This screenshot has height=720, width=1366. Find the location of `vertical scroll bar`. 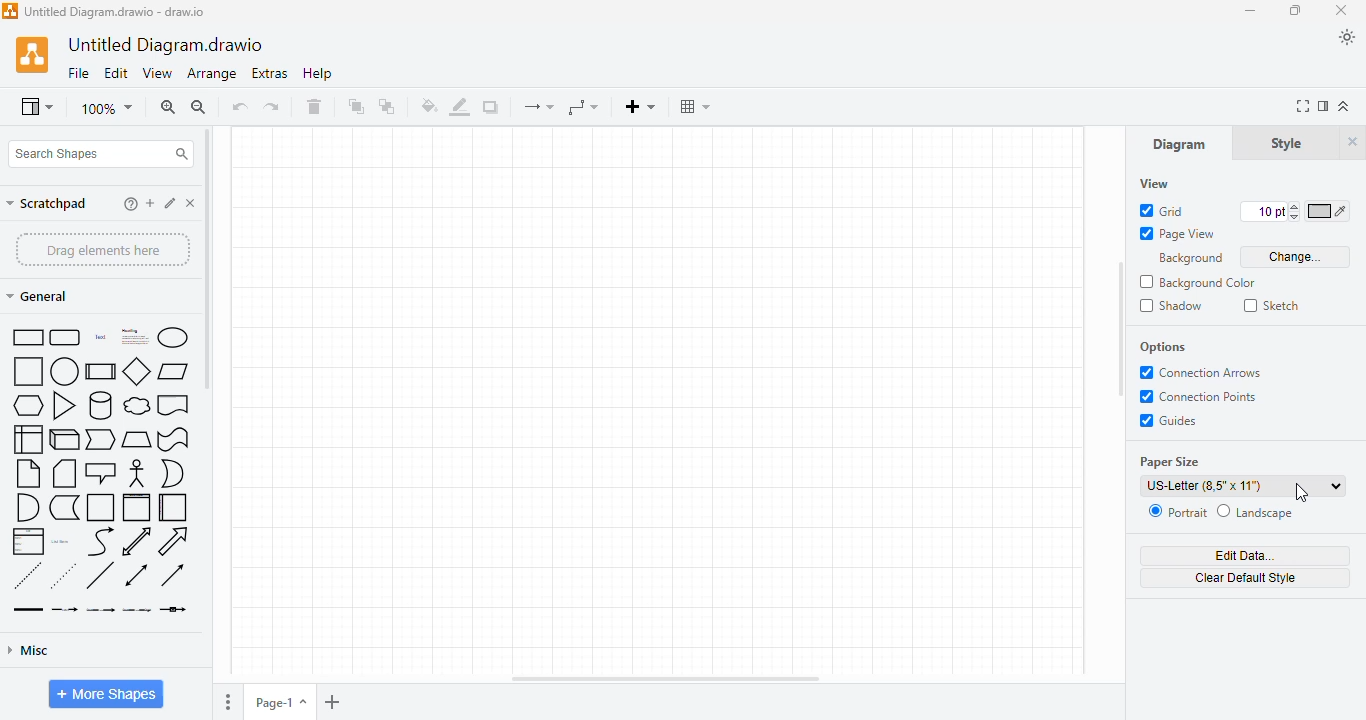

vertical scroll bar is located at coordinates (207, 258).